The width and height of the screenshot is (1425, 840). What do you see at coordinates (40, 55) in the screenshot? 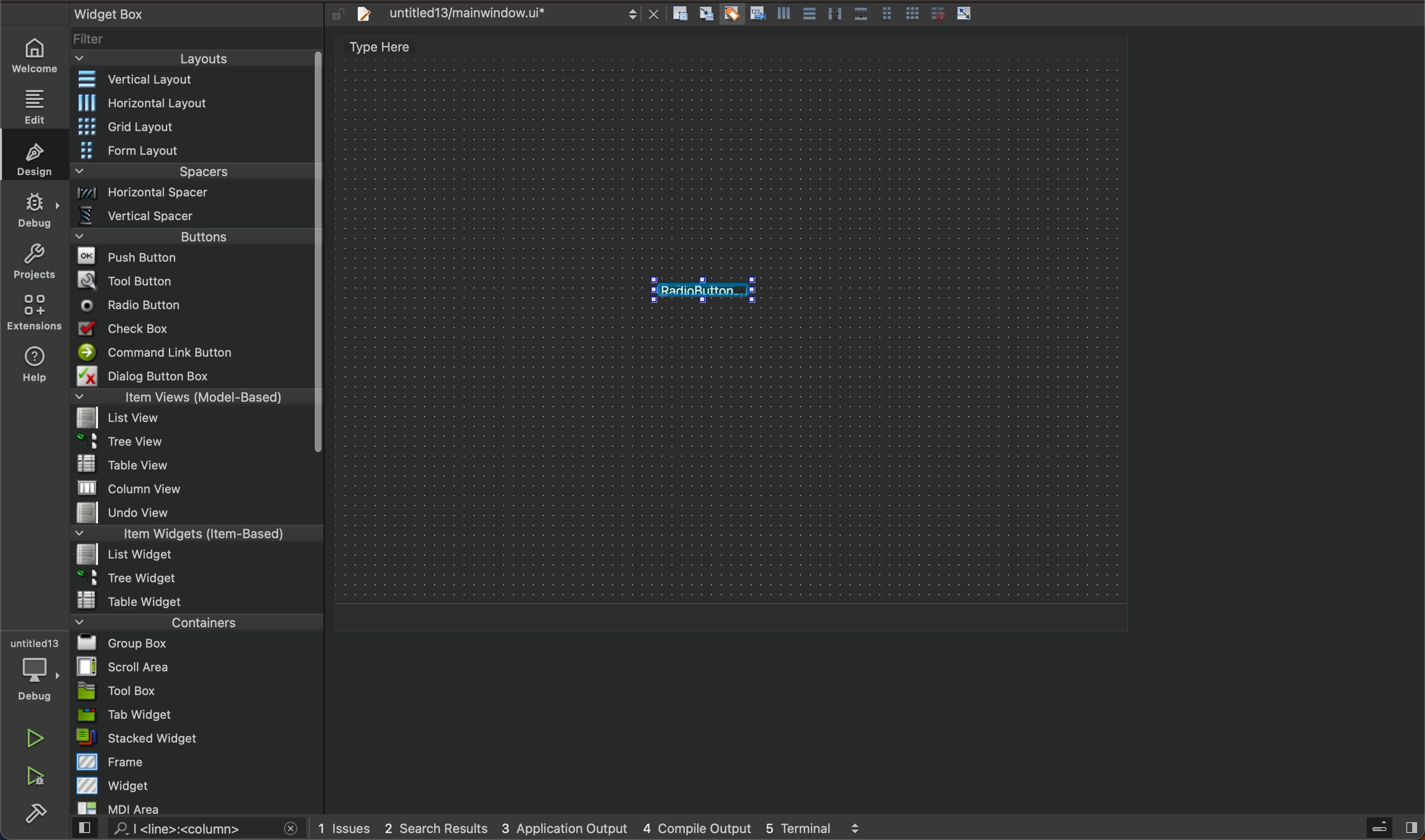
I see `home` at bounding box center [40, 55].